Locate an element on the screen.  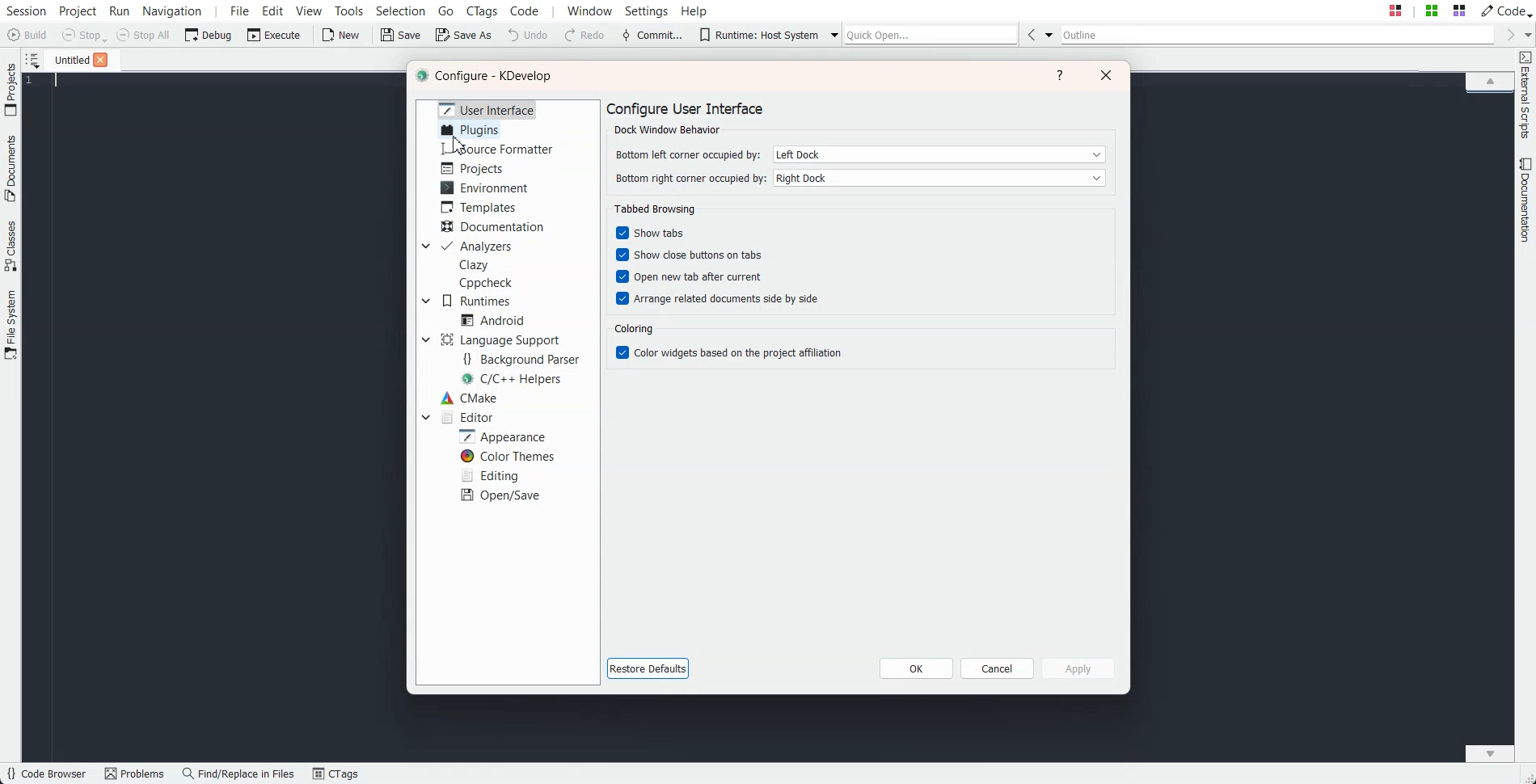
Stop All is located at coordinates (144, 35).